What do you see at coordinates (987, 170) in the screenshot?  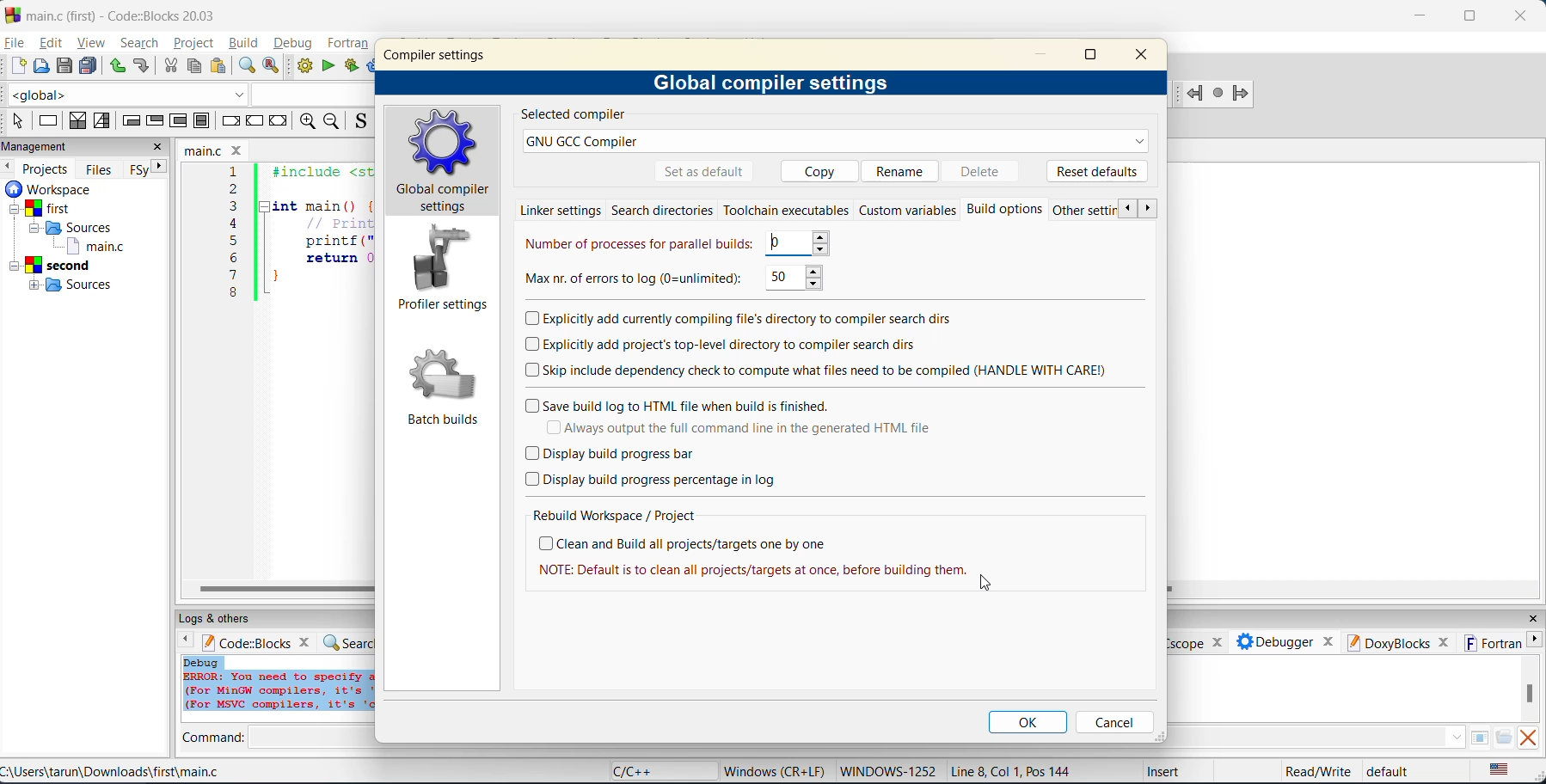 I see `delete` at bounding box center [987, 170].